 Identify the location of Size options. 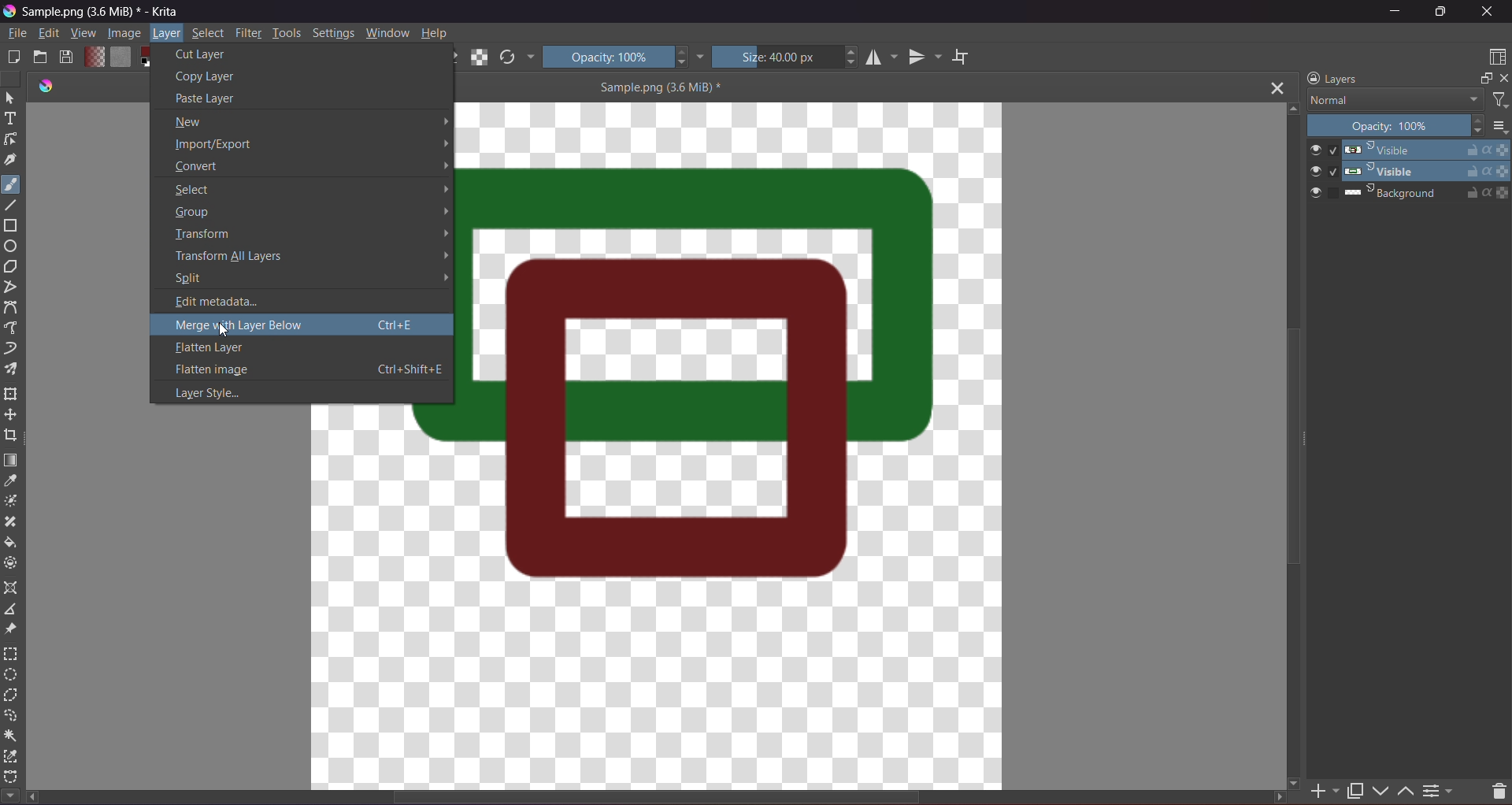
(1499, 127).